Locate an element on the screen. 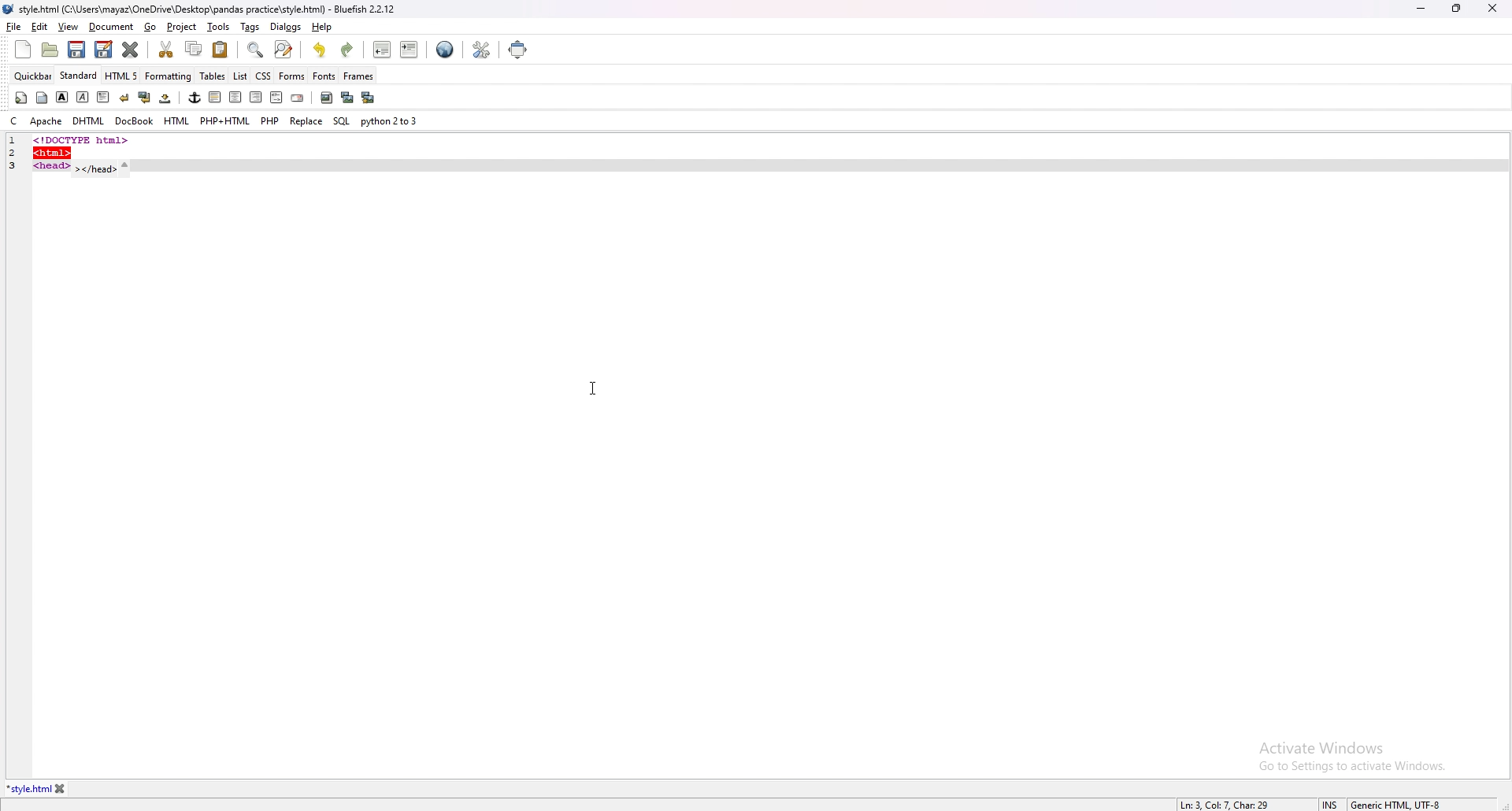 Image resolution: width=1512 pixels, height=811 pixels. forms is located at coordinates (292, 75).